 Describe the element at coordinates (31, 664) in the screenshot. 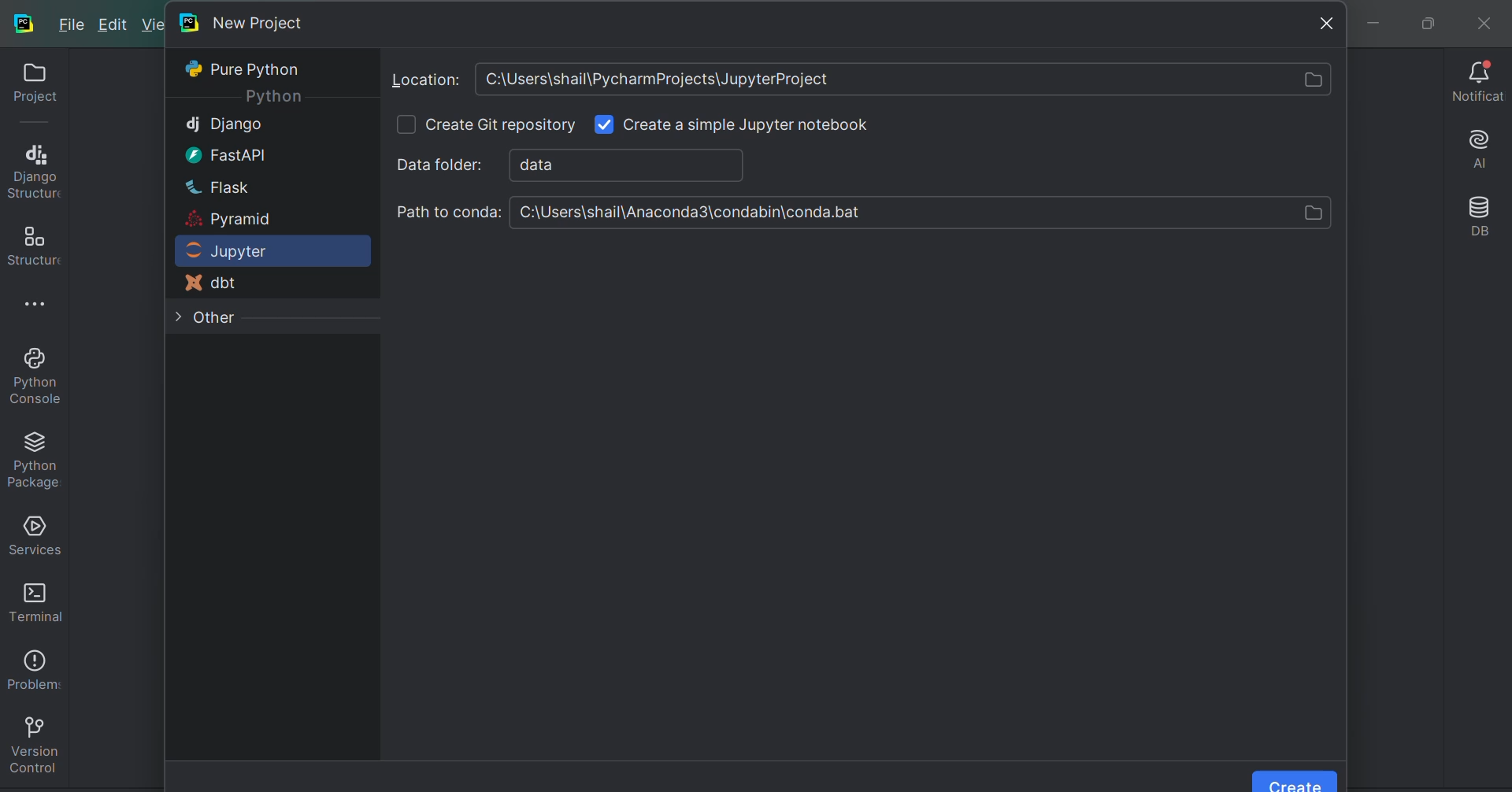

I see `Problems` at that location.